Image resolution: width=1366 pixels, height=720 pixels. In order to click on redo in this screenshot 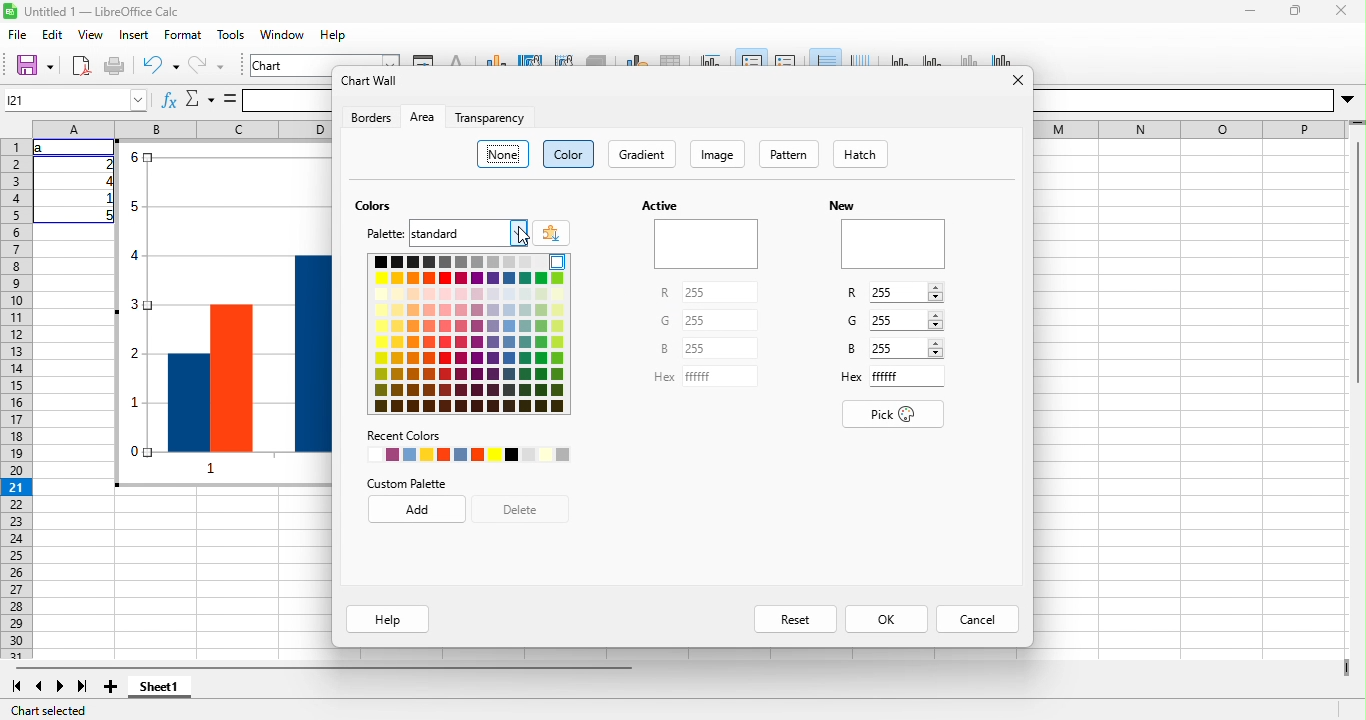, I will do `click(206, 66)`.